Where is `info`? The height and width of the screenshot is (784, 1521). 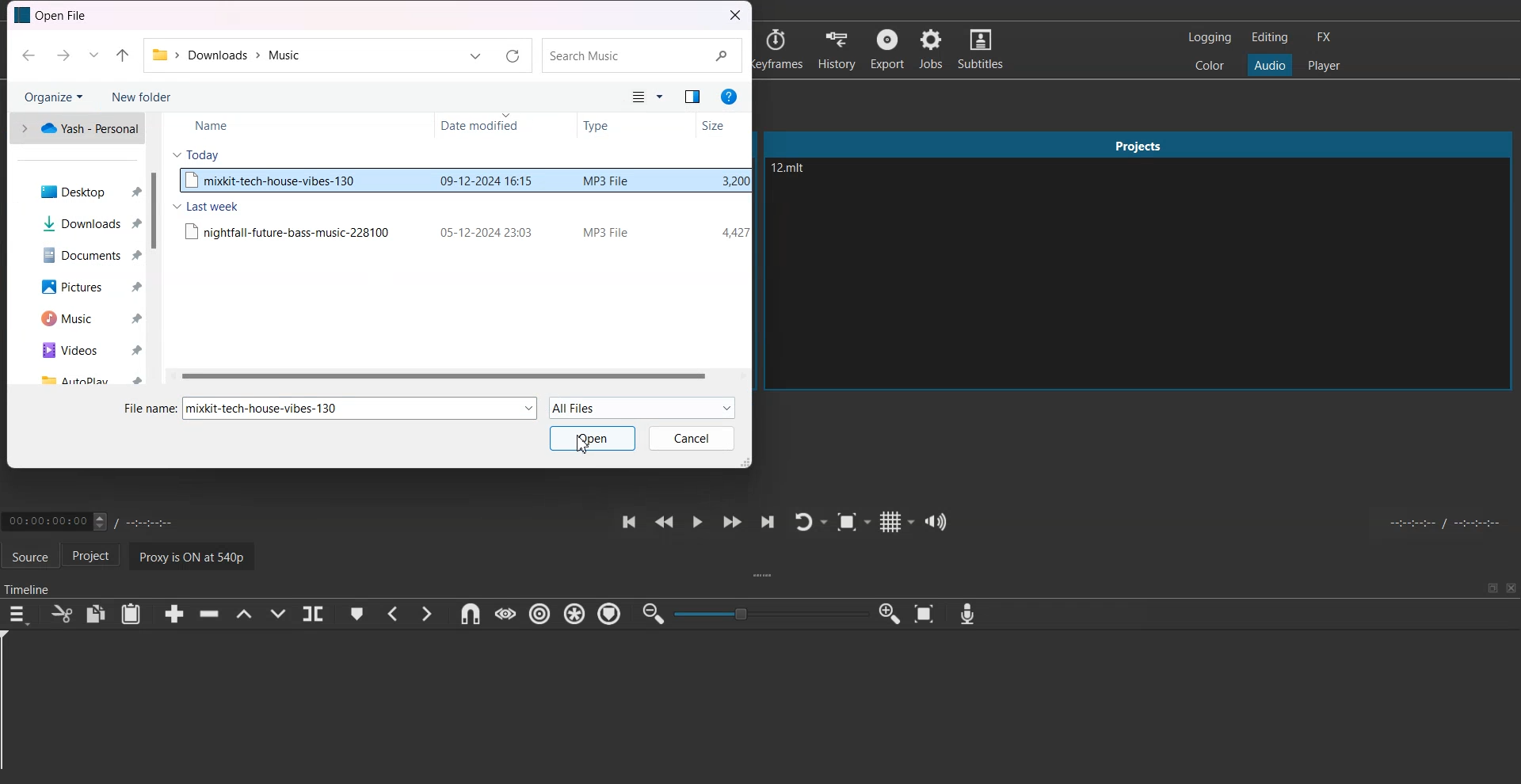 info is located at coordinates (729, 97).